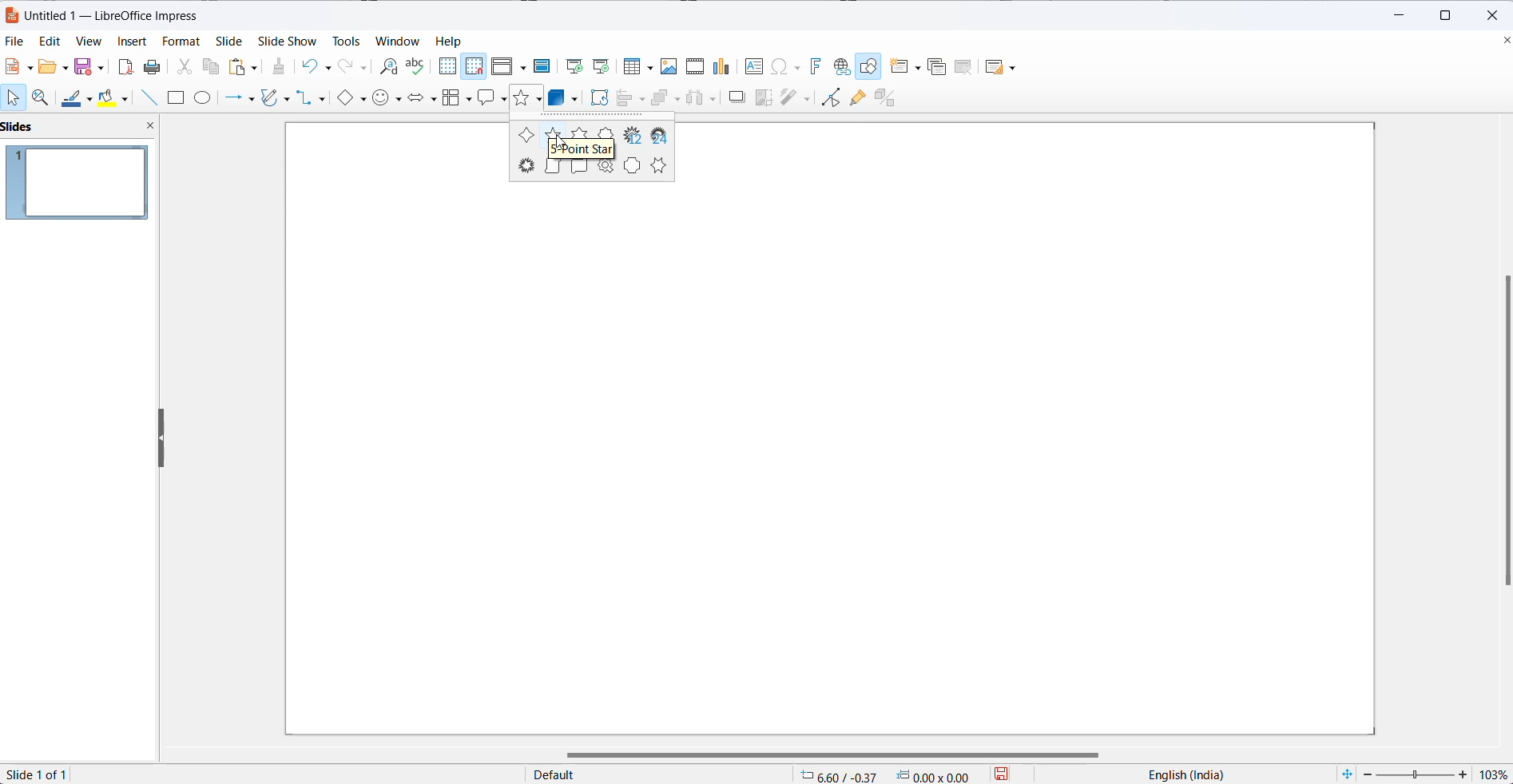  Describe the element at coordinates (1347, 774) in the screenshot. I see `fit slide to current window` at that location.